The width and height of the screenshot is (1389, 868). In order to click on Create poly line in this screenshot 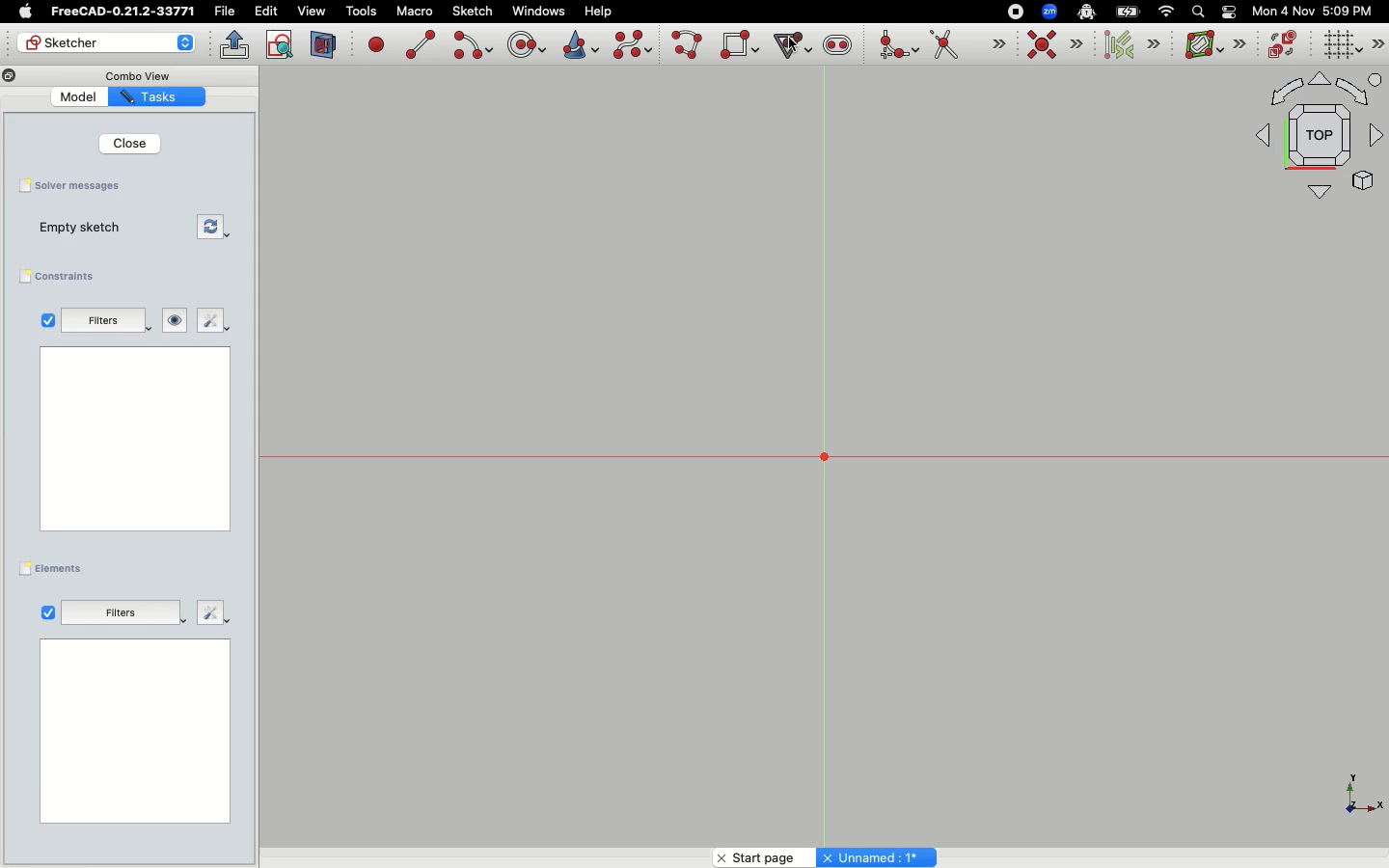, I will do `click(688, 46)`.